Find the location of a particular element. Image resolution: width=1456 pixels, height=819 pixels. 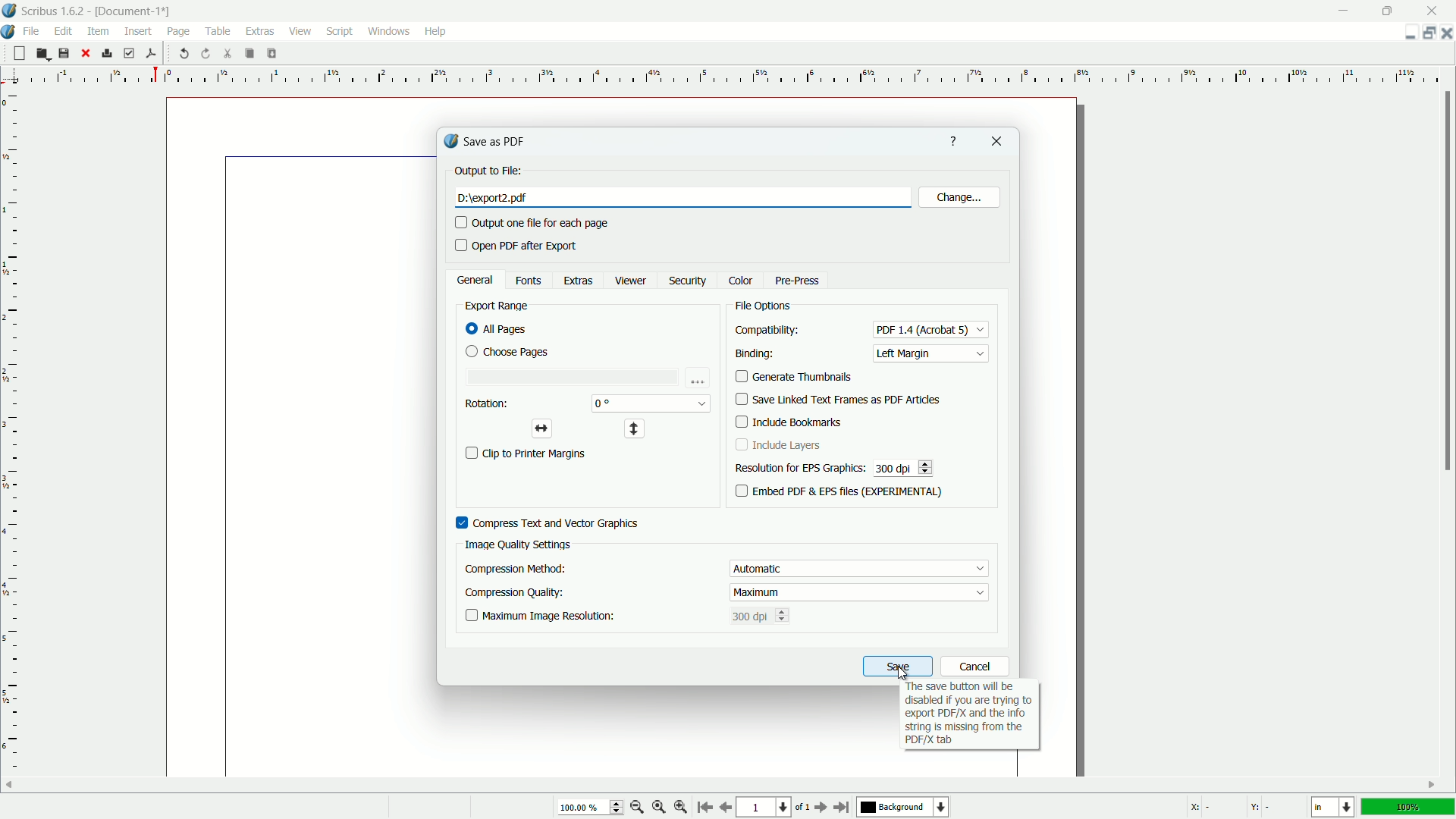

undo is located at coordinates (184, 53).